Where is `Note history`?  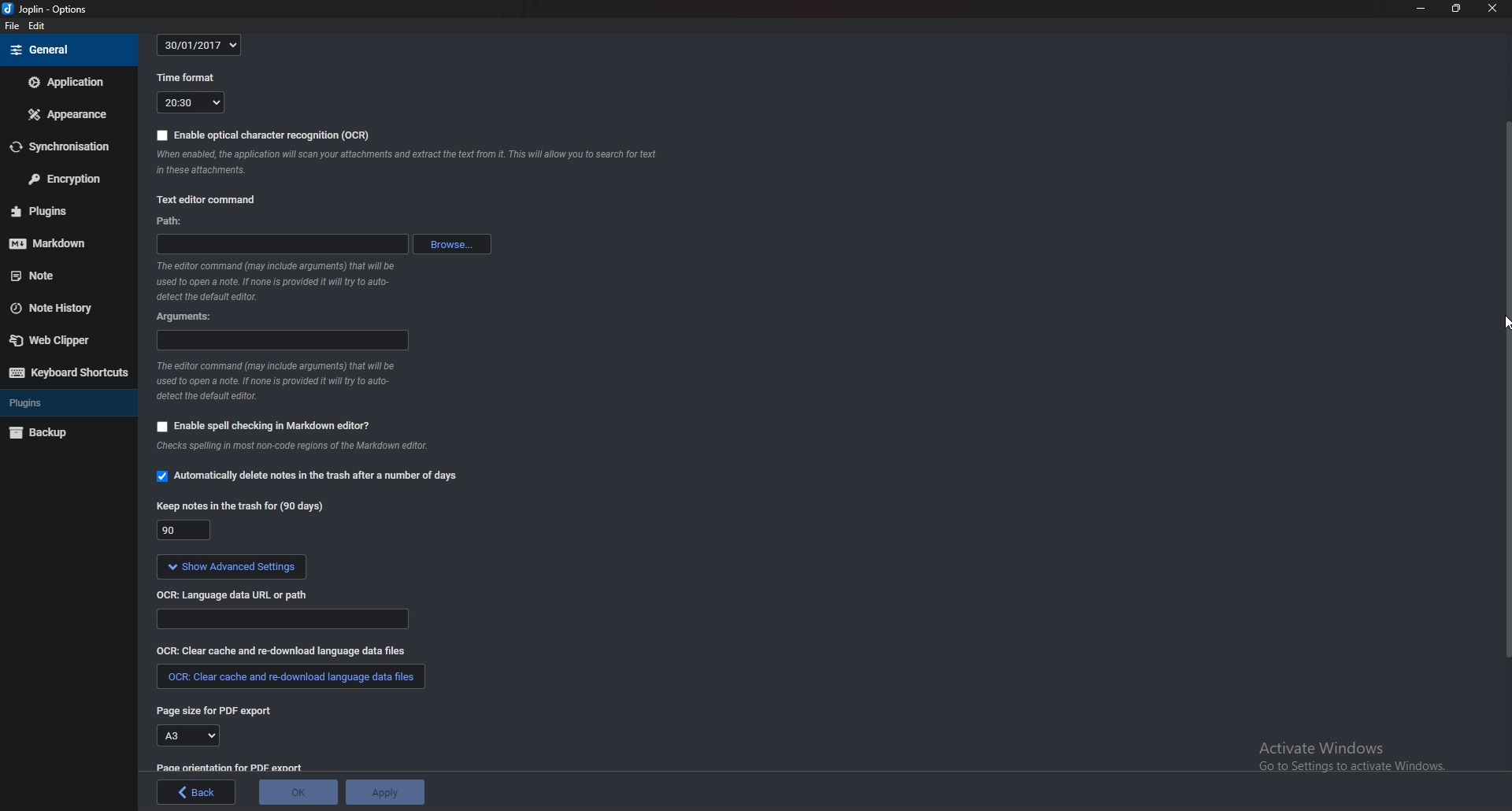 Note history is located at coordinates (58, 308).